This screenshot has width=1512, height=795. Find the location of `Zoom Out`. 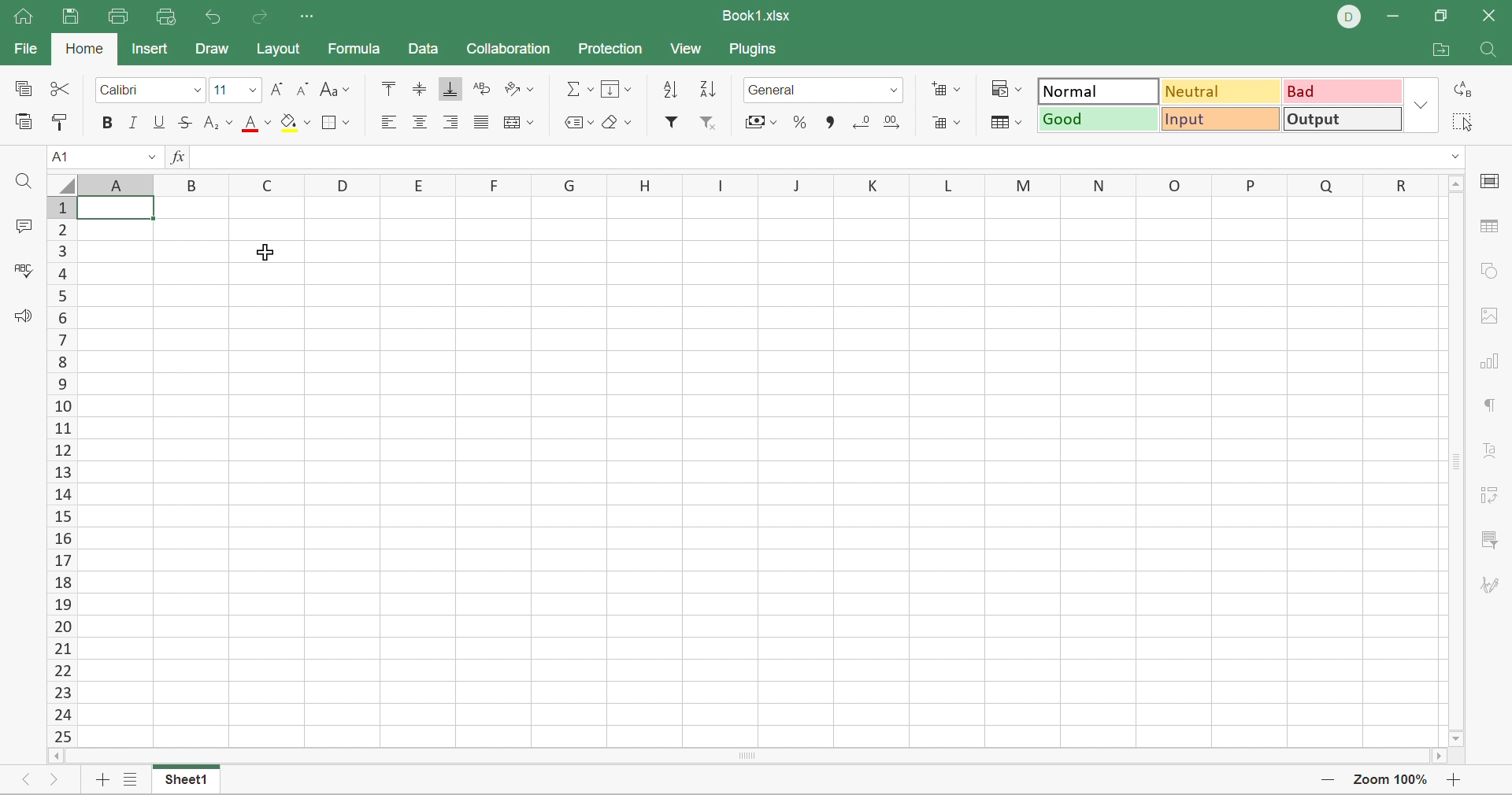

Zoom Out is located at coordinates (1329, 780).